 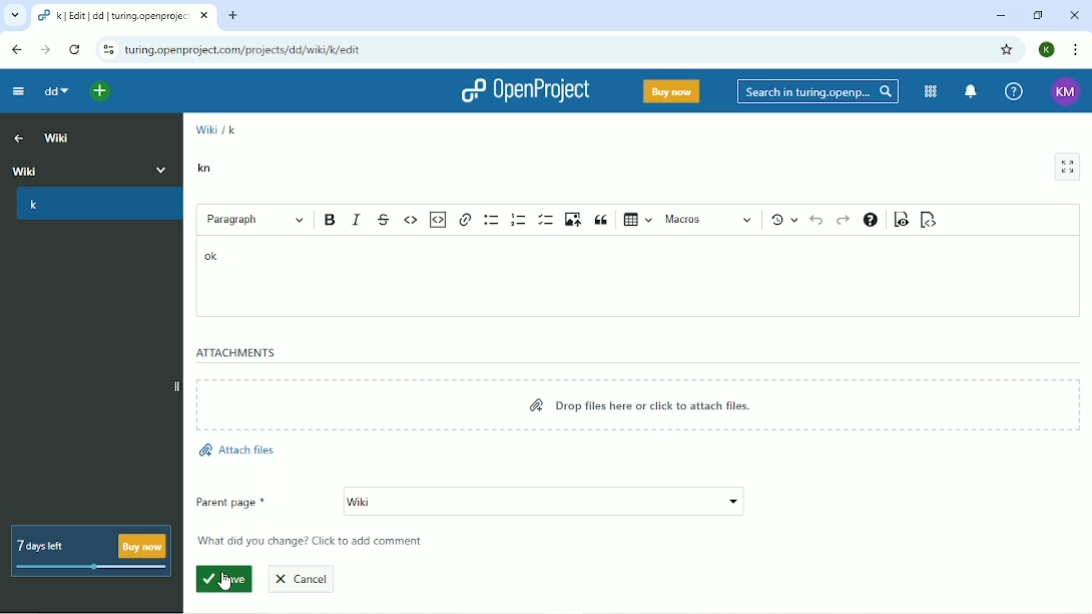 I want to click on New tab, so click(x=233, y=15).